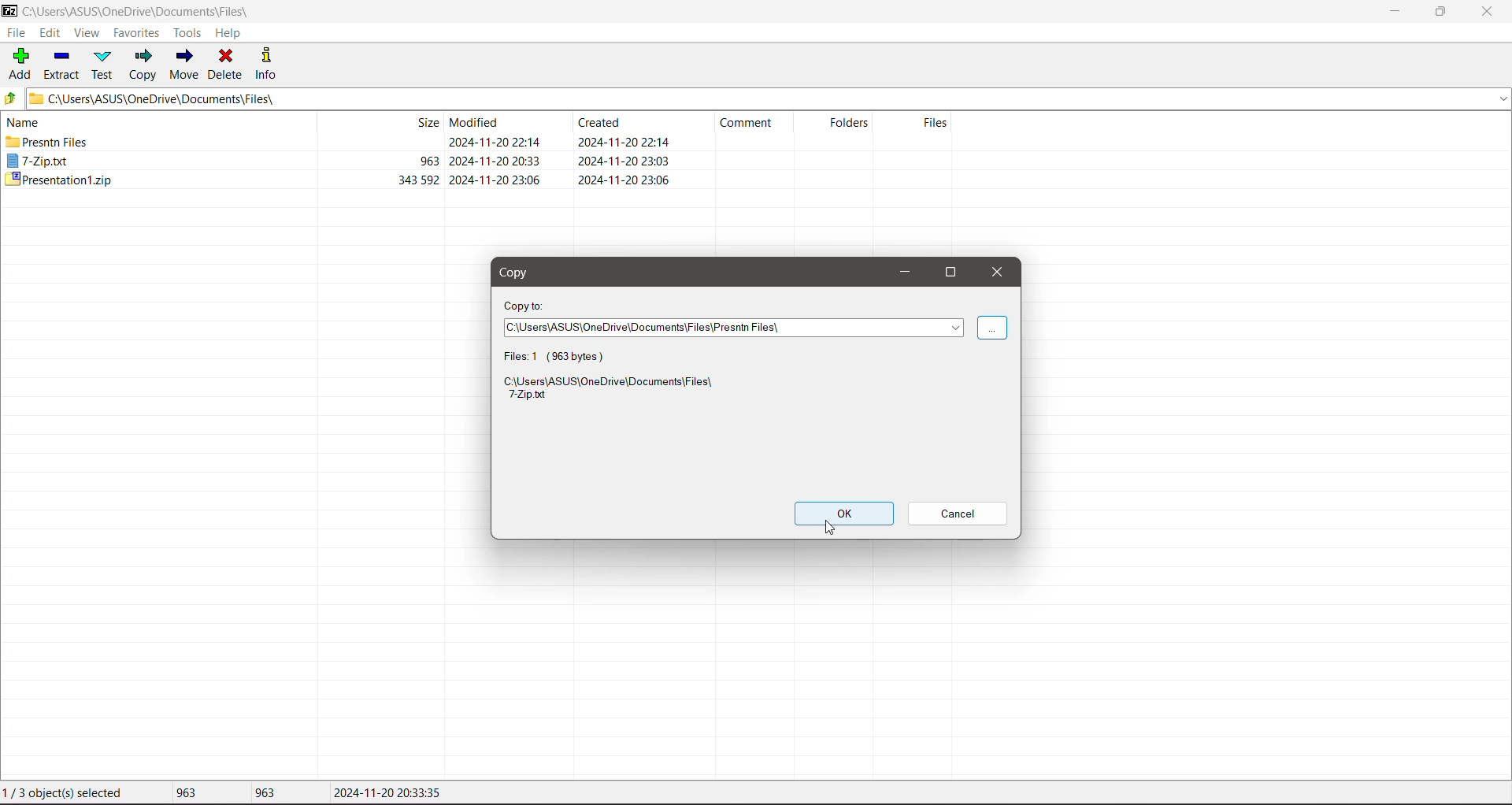 Image resolution: width=1512 pixels, height=805 pixels. I want to click on Add, so click(18, 65).